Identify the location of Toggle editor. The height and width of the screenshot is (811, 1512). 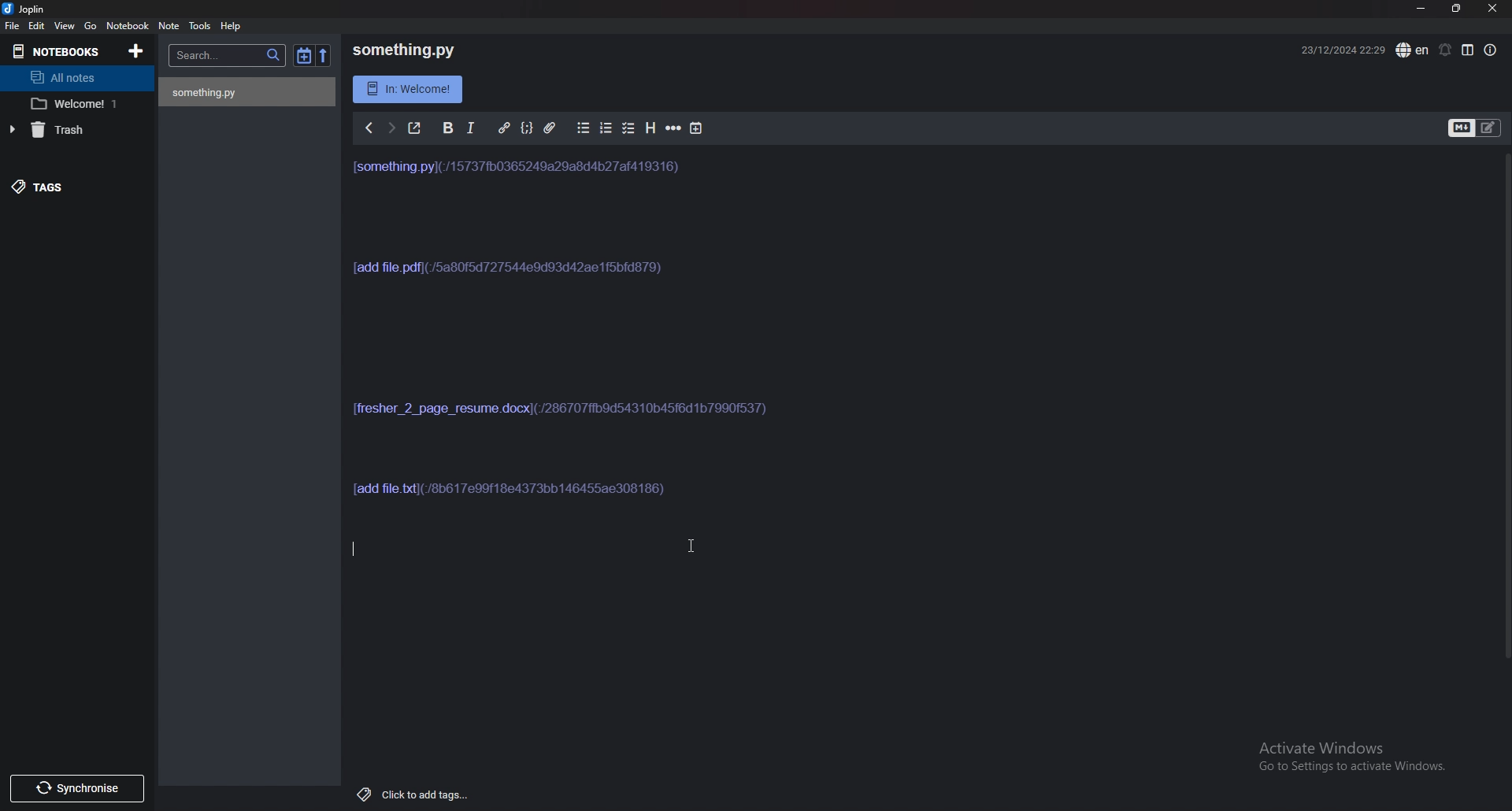
(1473, 128).